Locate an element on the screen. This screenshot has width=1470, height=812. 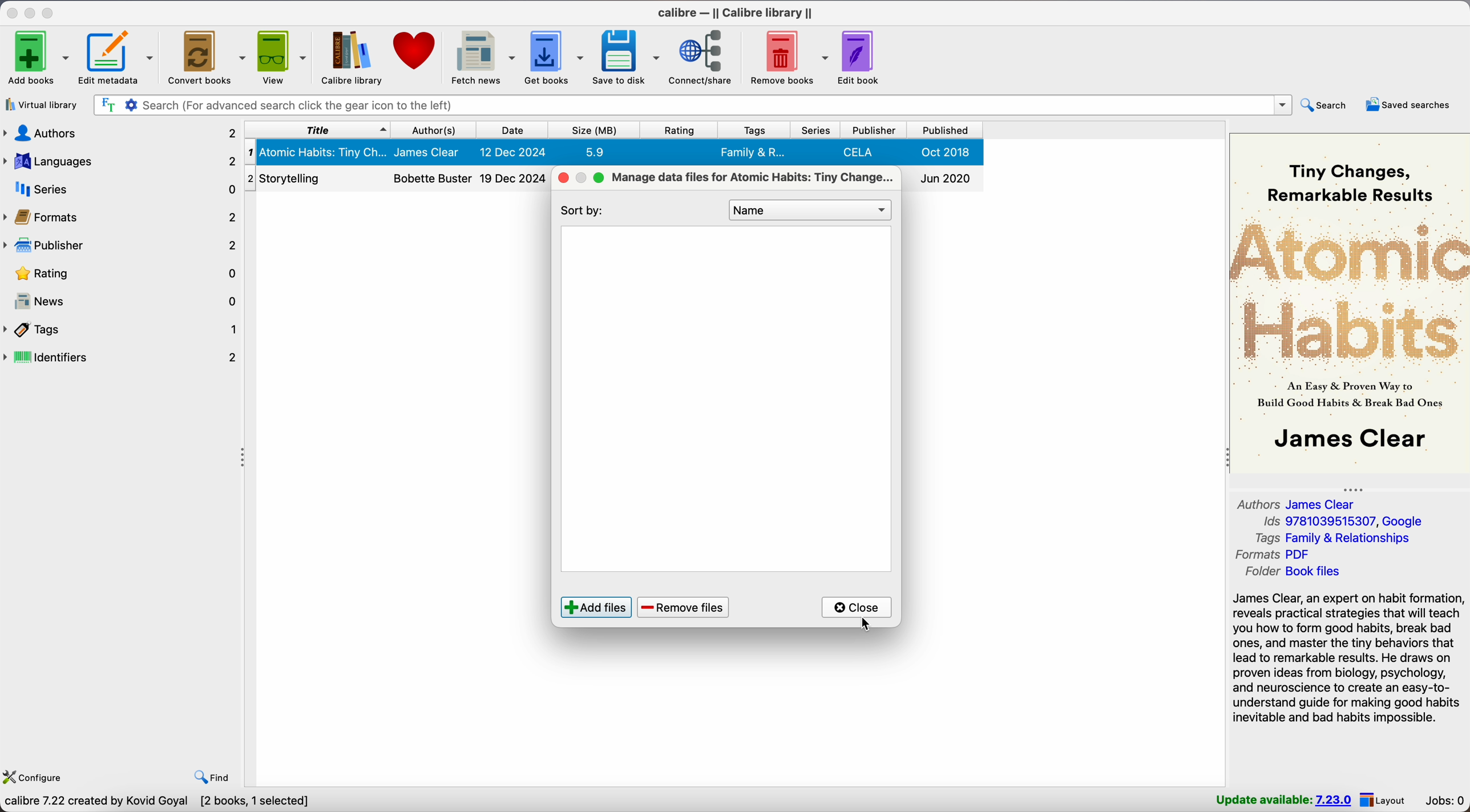
edit metadata is located at coordinates (119, 58).